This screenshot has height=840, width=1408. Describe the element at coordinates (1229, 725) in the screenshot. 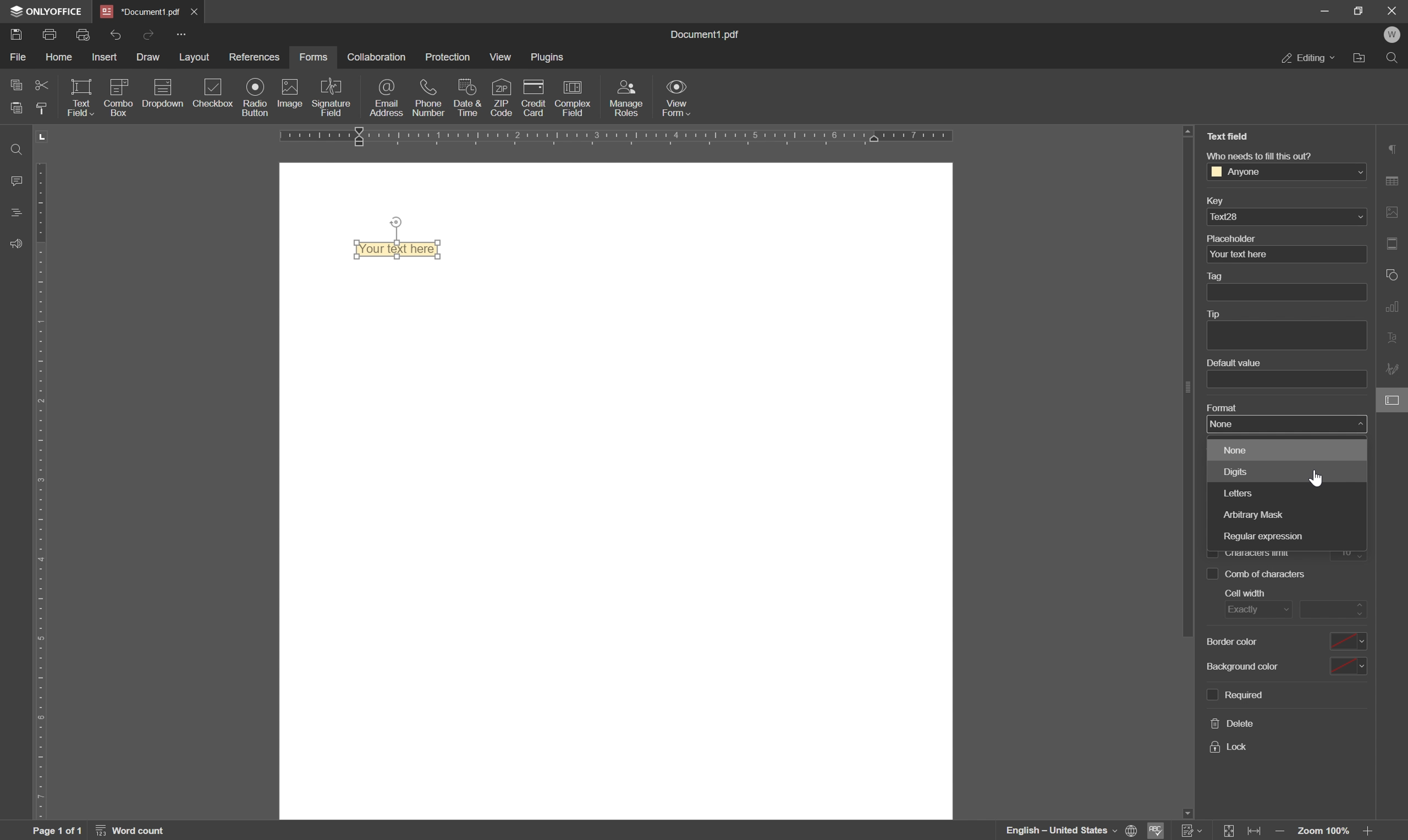

I see `delete` at that location.